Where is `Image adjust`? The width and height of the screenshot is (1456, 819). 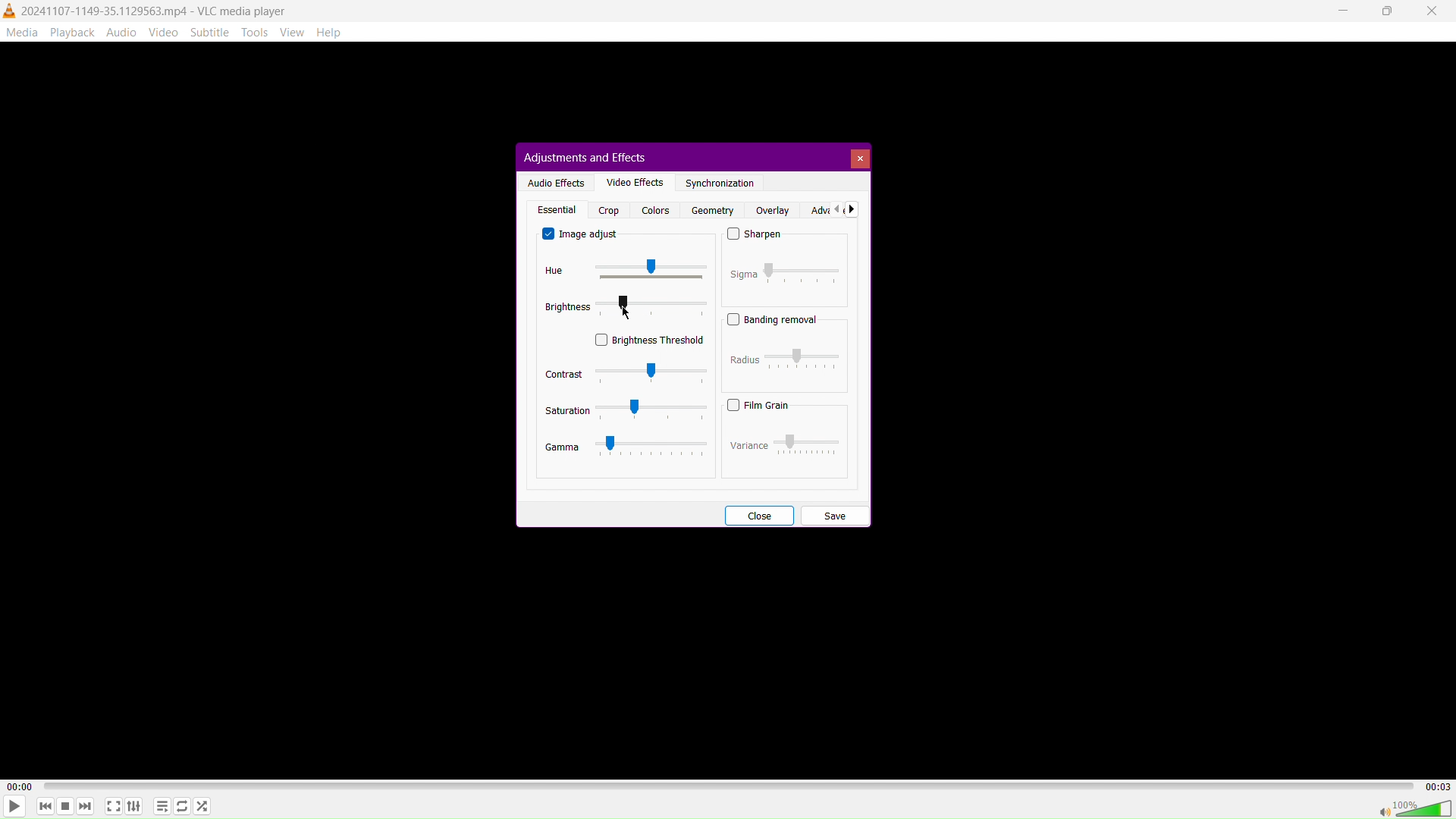 Image adjust is located at coordinates (582, 234).